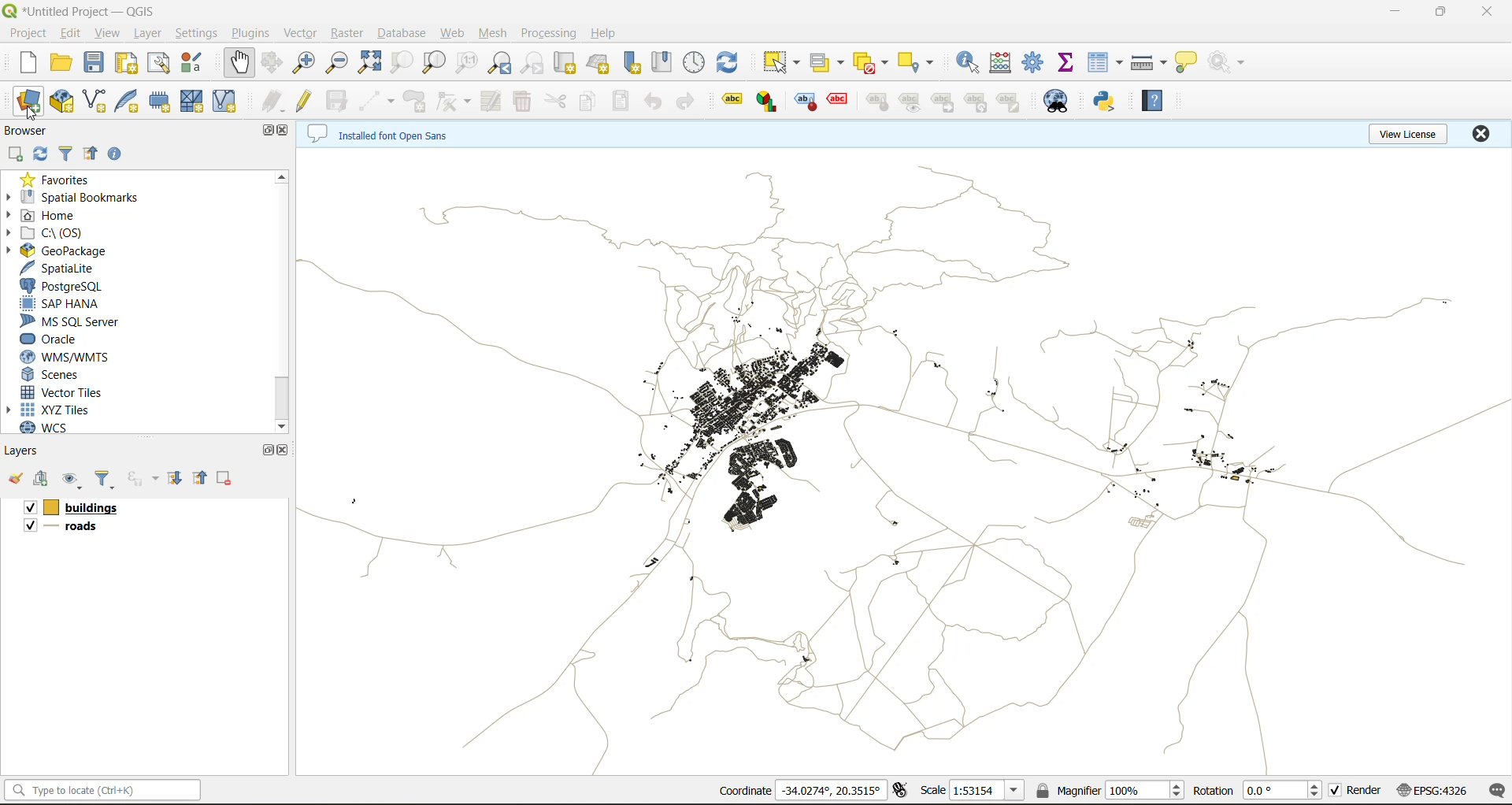 The height and width of the screenshot is (805, 1512). I want to click on layer, so click(145, 34).